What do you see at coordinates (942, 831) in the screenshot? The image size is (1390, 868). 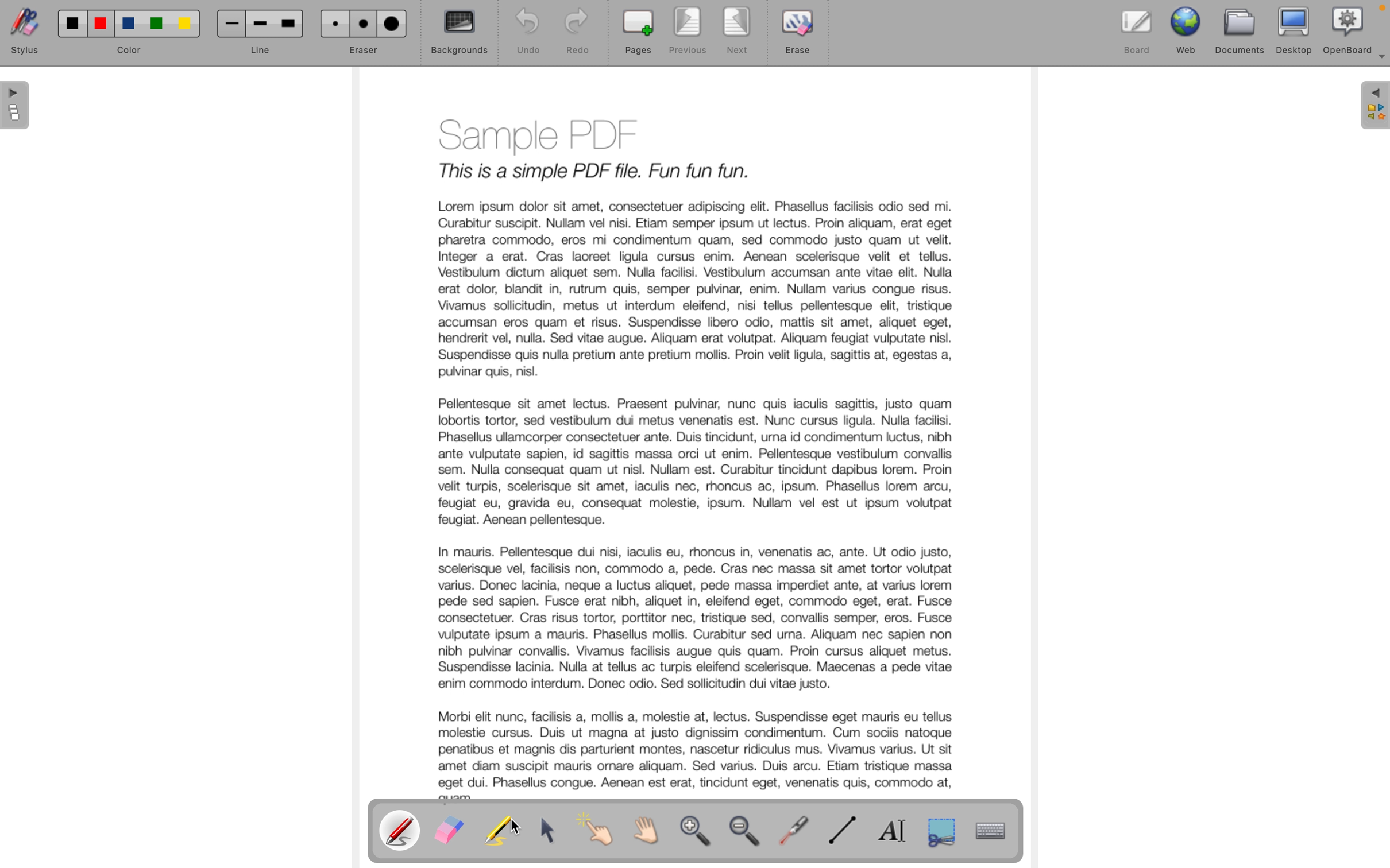 I see `capture a part of the screen` at bounding box center [942, 831].